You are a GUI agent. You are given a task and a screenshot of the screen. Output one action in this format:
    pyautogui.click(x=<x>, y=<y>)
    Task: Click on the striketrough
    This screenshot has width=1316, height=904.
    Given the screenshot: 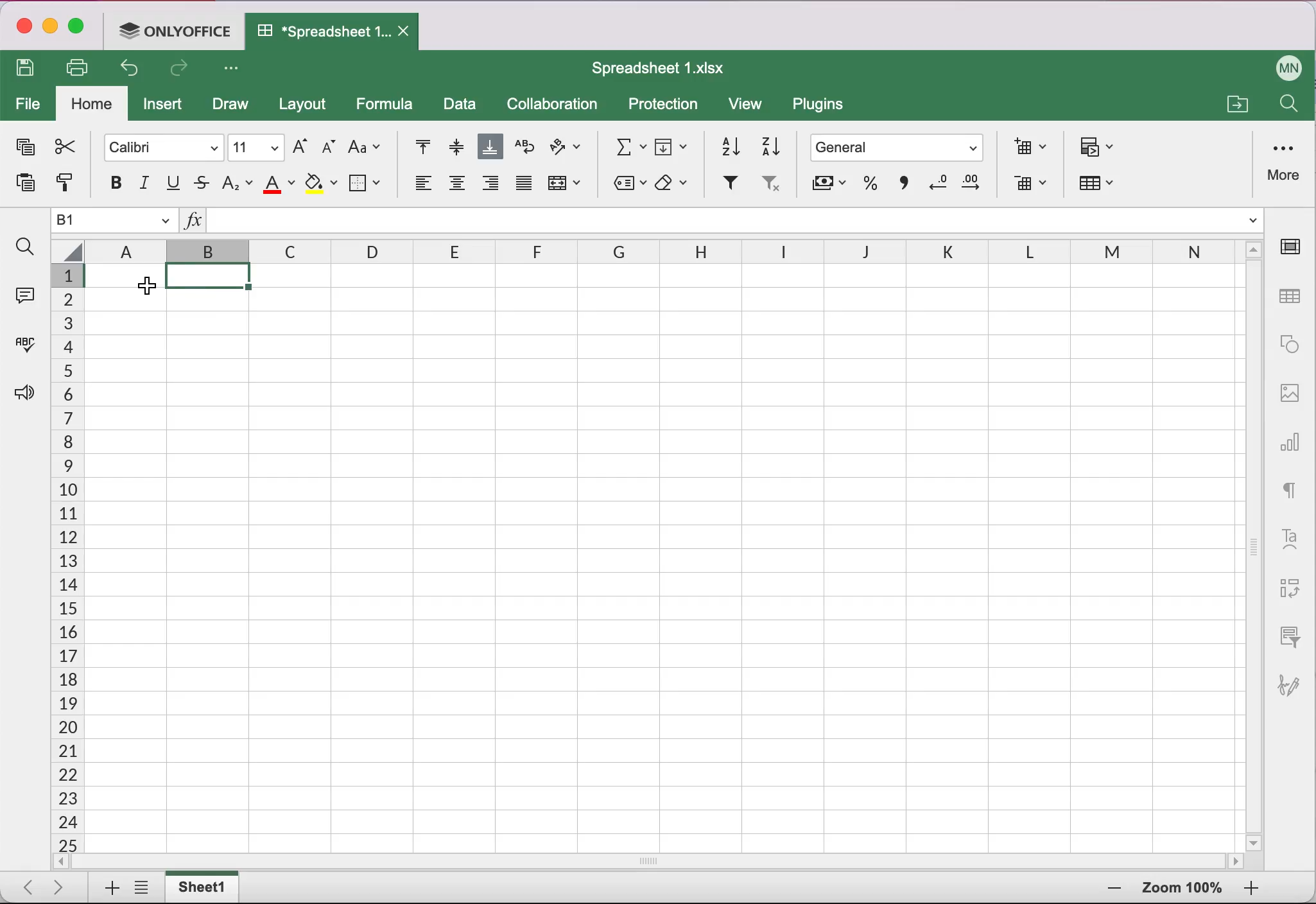 What is the action you would take?
    pyautogui.click(x=202, y=184)
    